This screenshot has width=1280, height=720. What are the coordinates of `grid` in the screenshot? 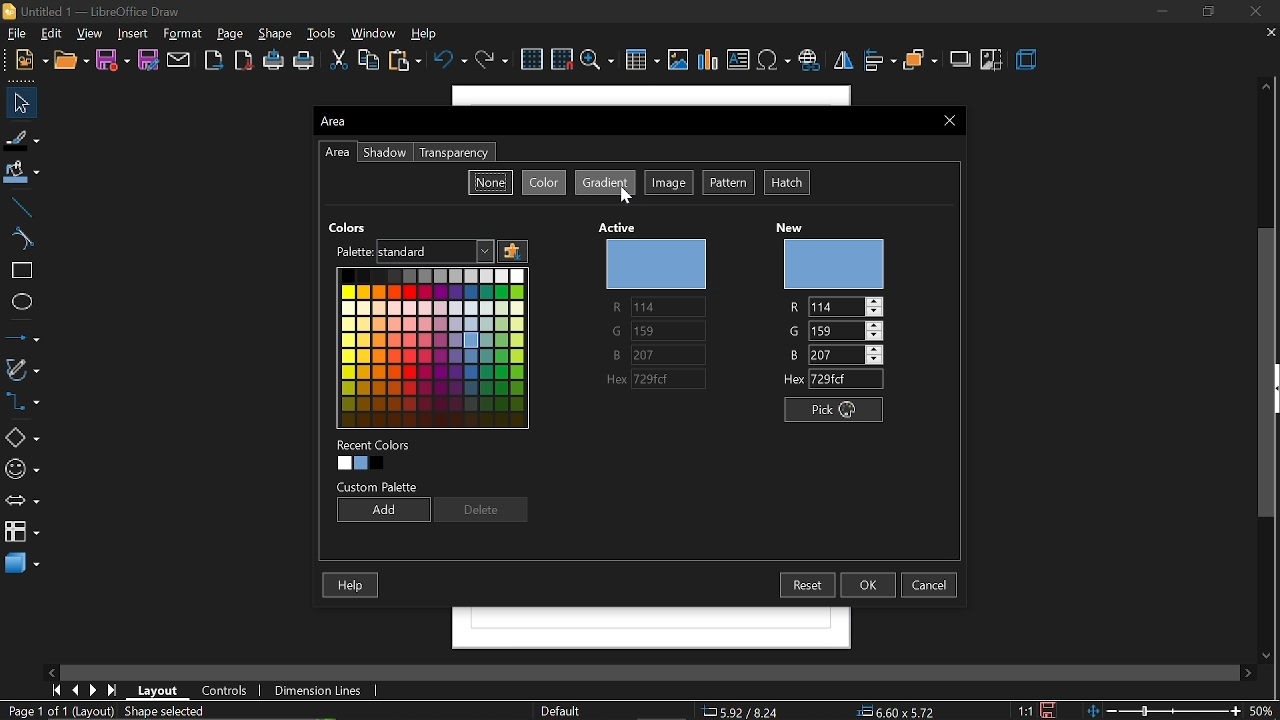 It's located at (531, 59).